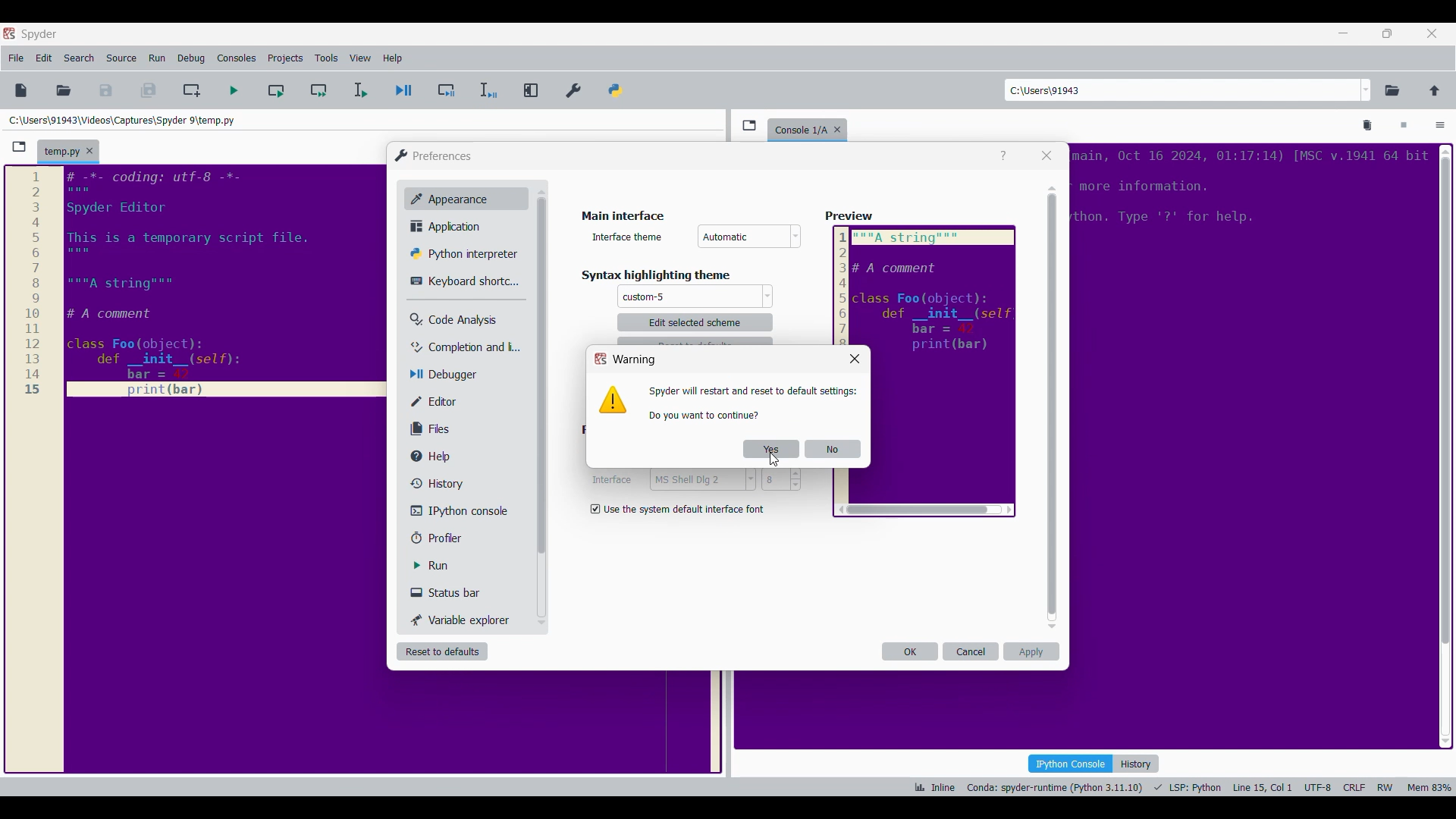 The width and height of the screenshot is (1456, 819). I want to click on Window title, so click(634, 359).